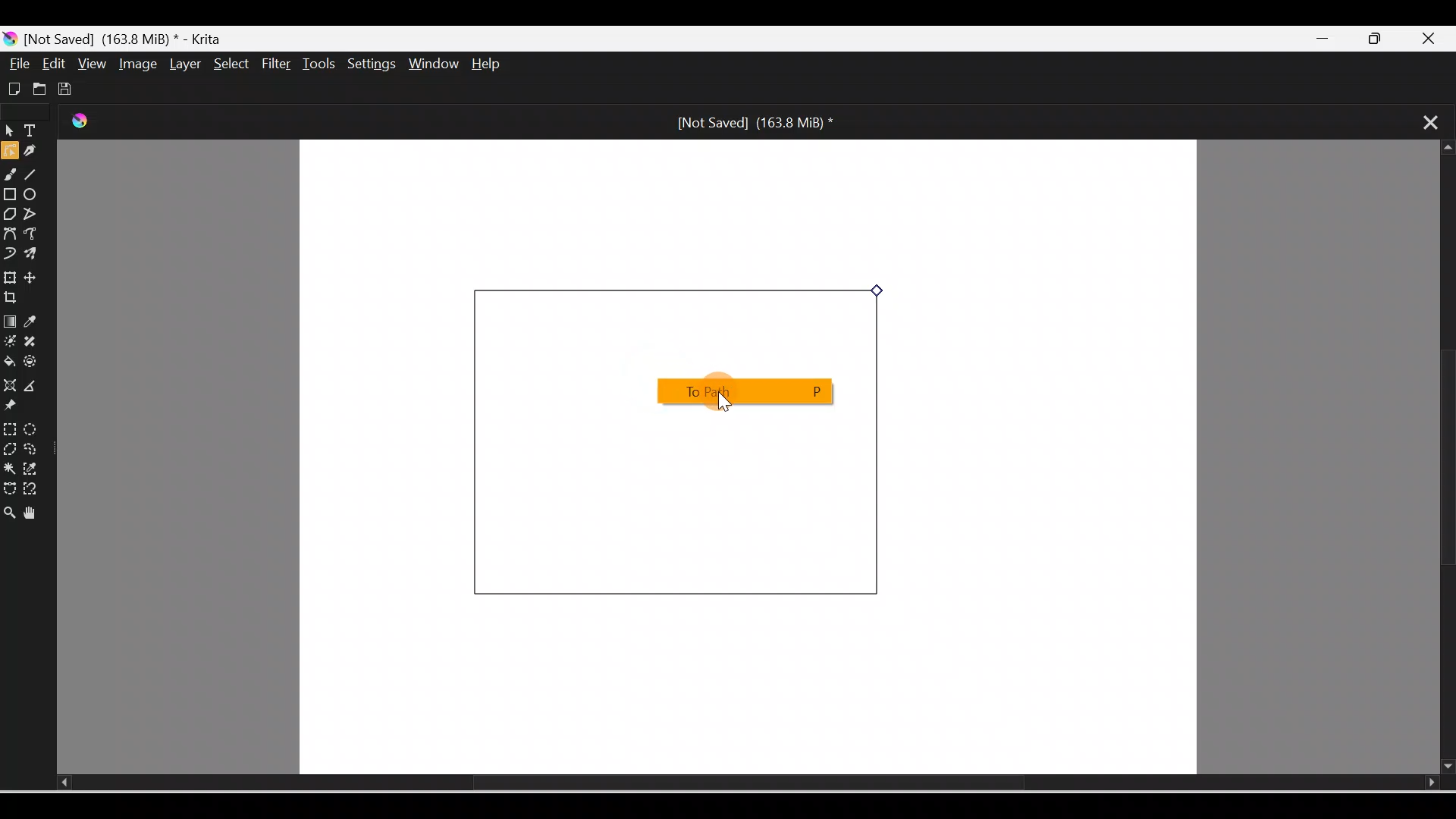 Image resolution: width=1456 pixels, height=819 pixels. What do you see at coordinates (36, 152) in the screenshot?
I see `Calligraphy` at bounding box center [36, 152].